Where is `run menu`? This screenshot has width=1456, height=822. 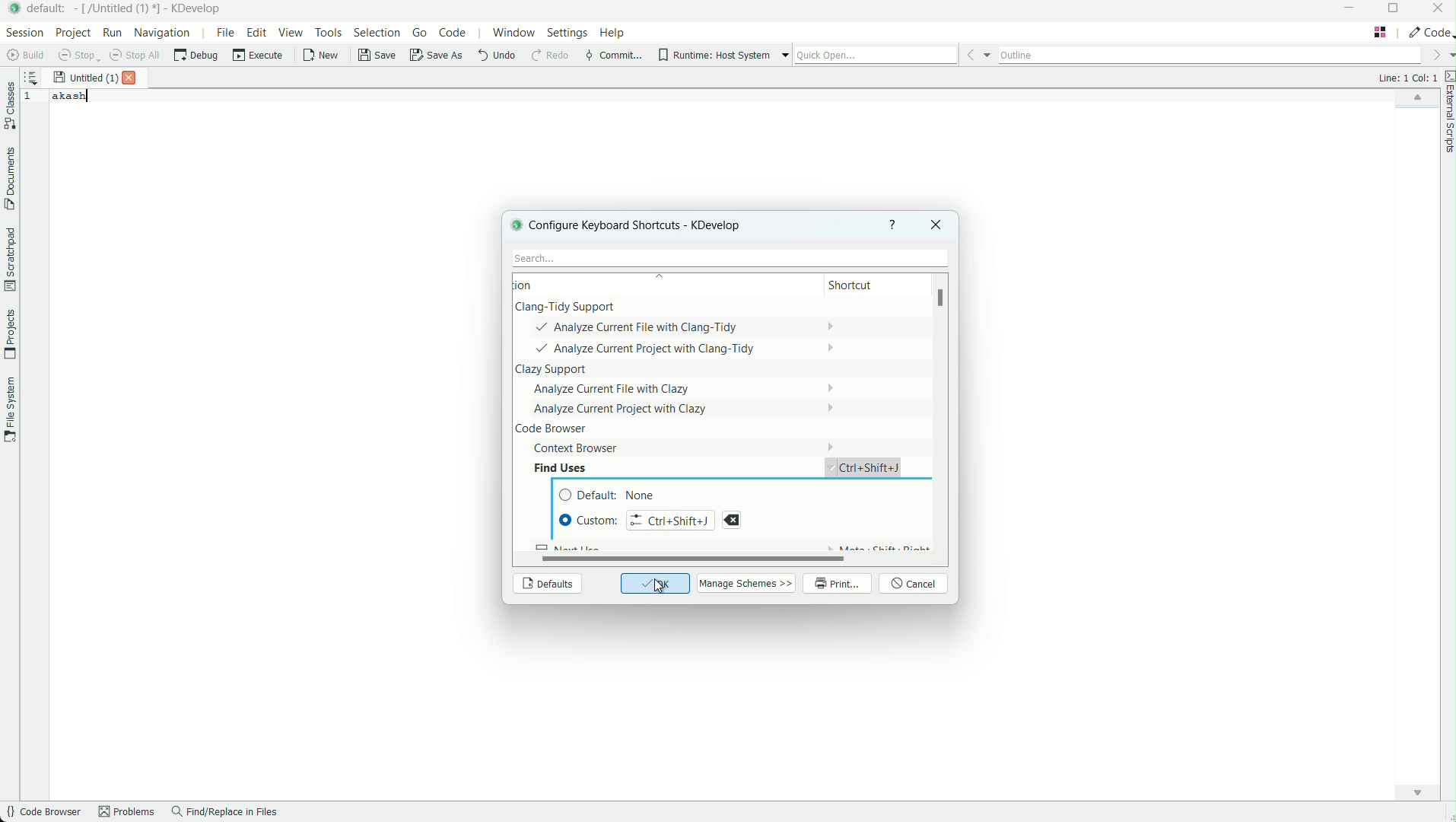 run menu is located at coordinates (113, 33).